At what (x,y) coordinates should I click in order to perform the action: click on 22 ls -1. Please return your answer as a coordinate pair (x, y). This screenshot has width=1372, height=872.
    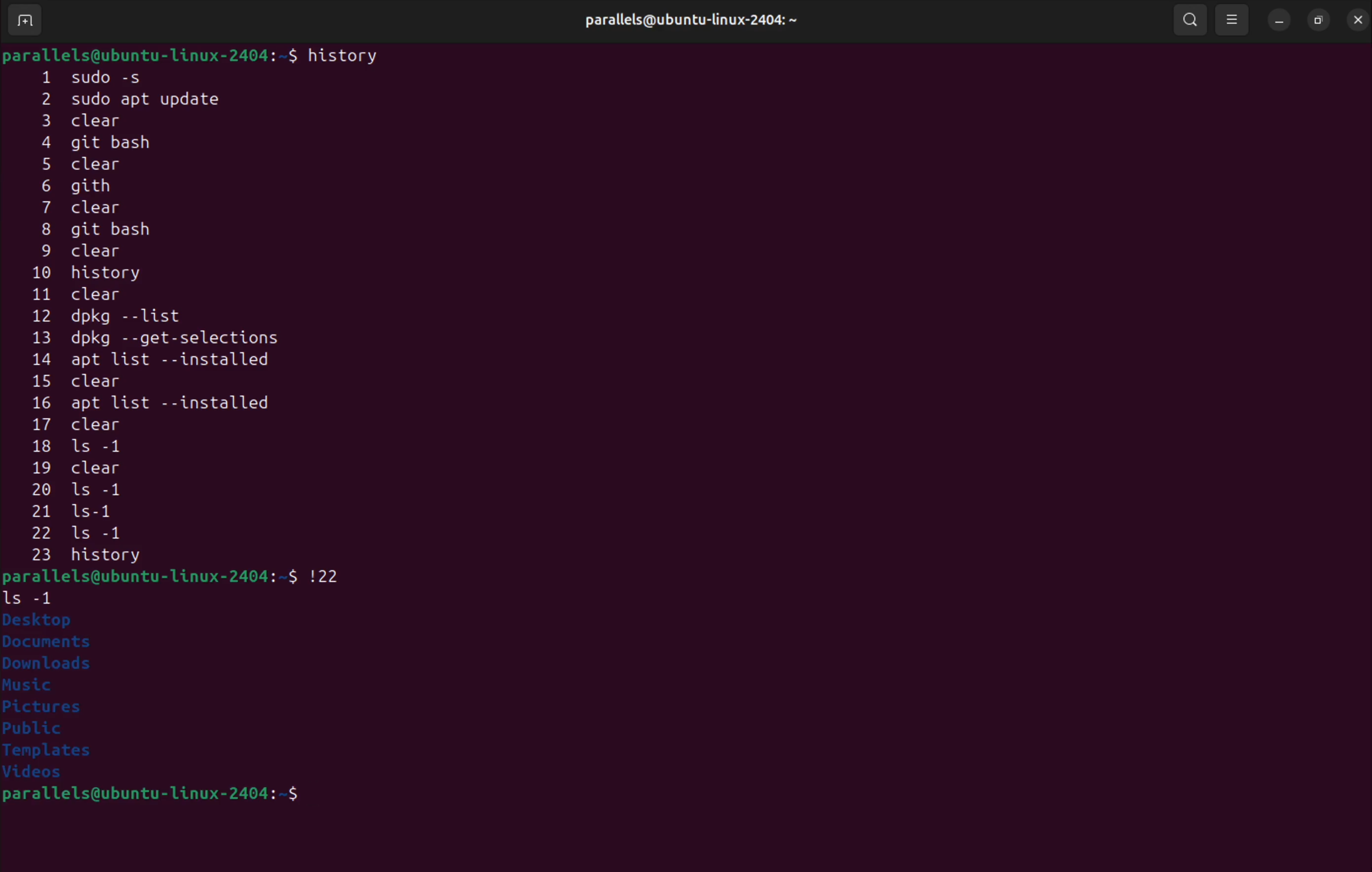
    Looking at the image, I should click on (99, 534).